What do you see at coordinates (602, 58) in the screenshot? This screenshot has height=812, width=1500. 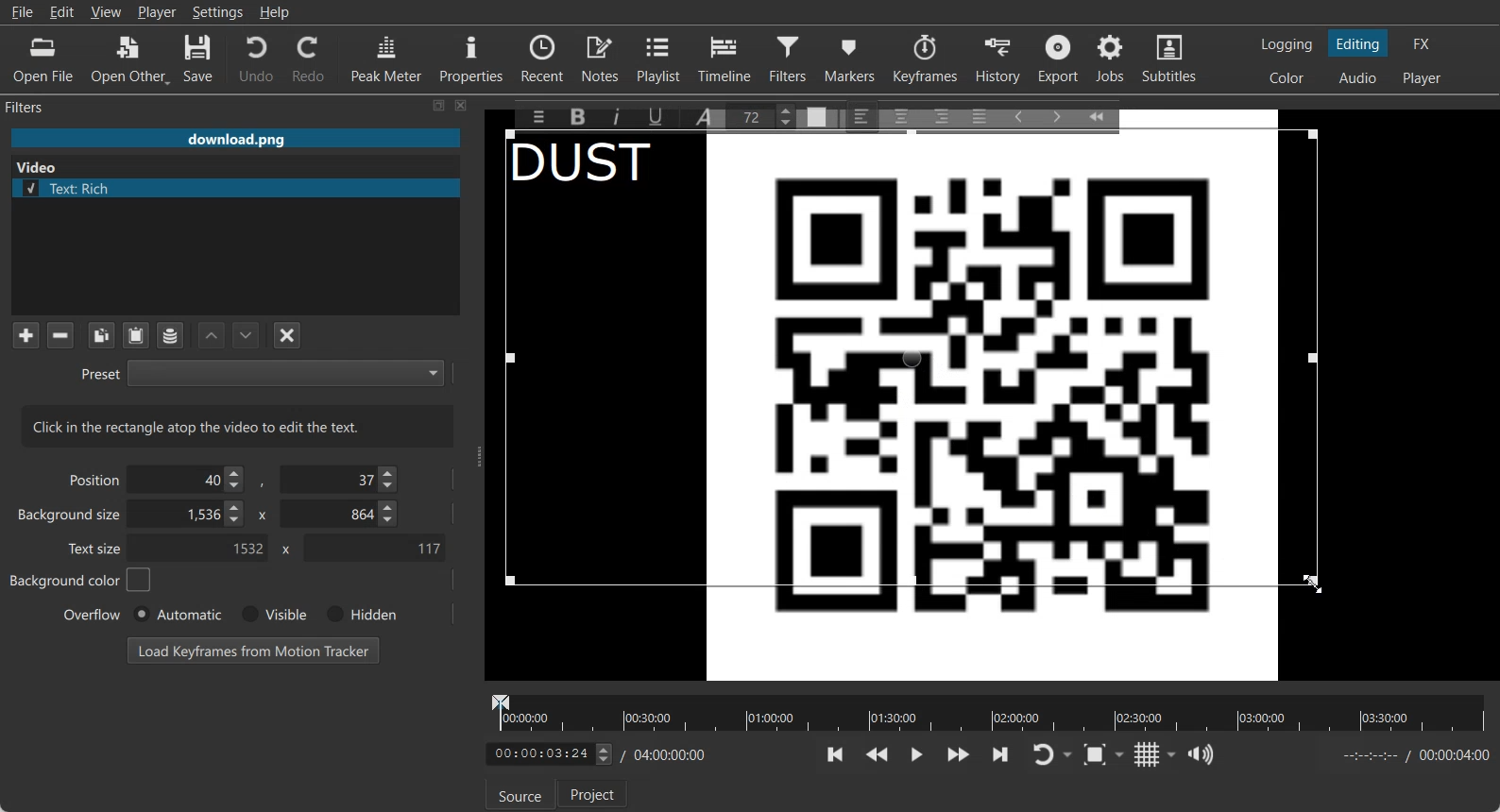 I see `Notes` at bounding box center [602, 58].